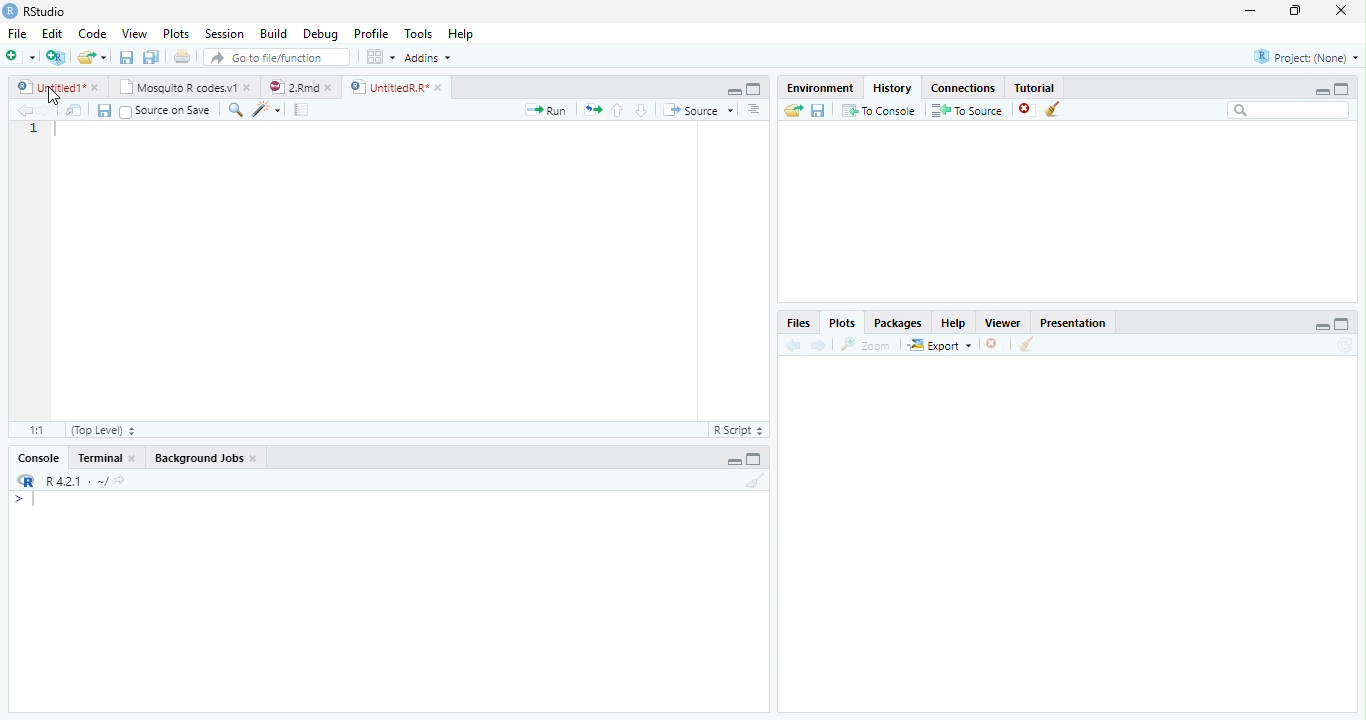 This screenshot has height=720, width=1366. I want to click on Next, so click(818, 347).